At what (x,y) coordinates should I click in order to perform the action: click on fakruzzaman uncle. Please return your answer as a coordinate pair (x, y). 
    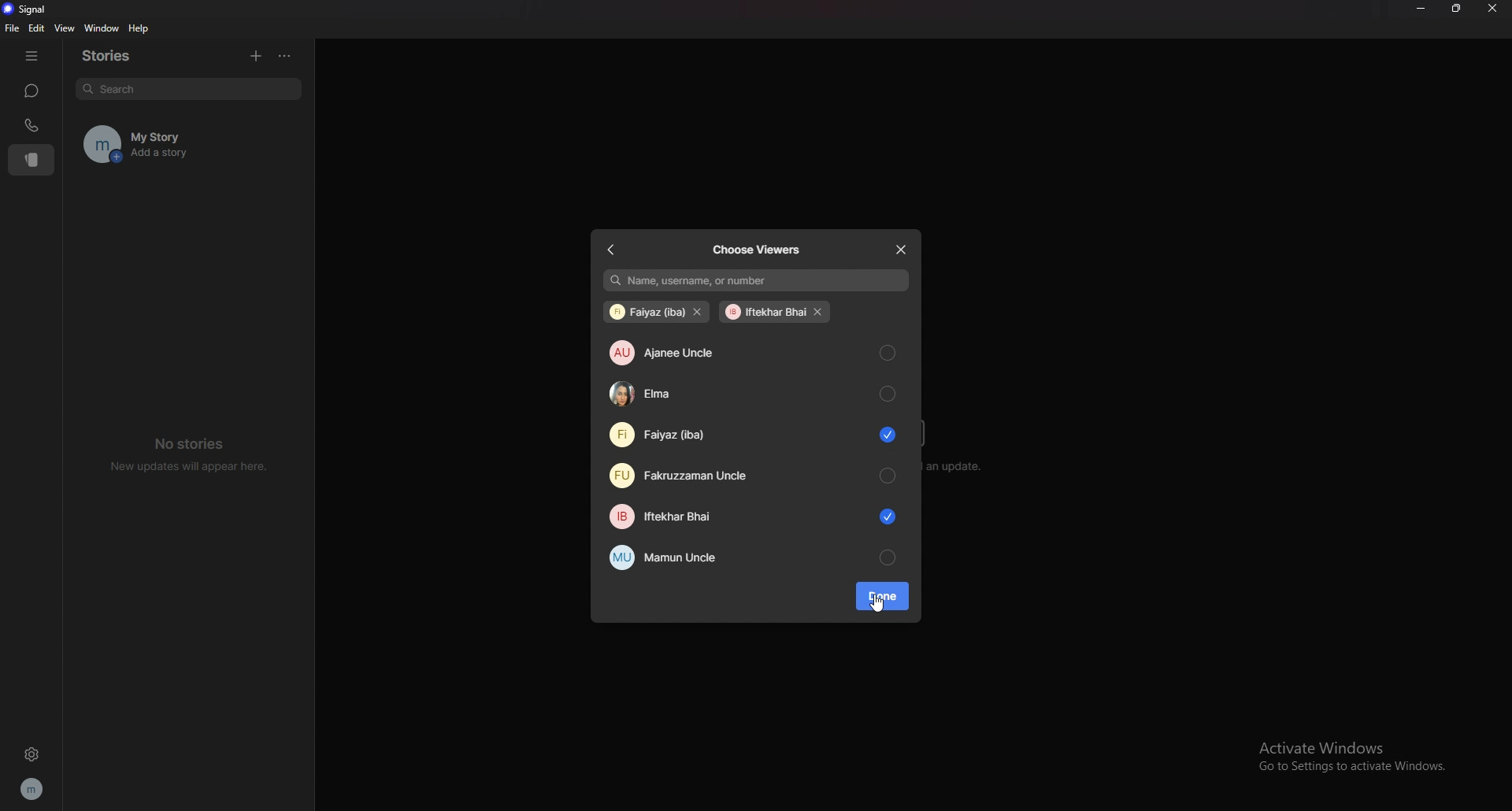
    Looking at the image, I should click on (752, 478).